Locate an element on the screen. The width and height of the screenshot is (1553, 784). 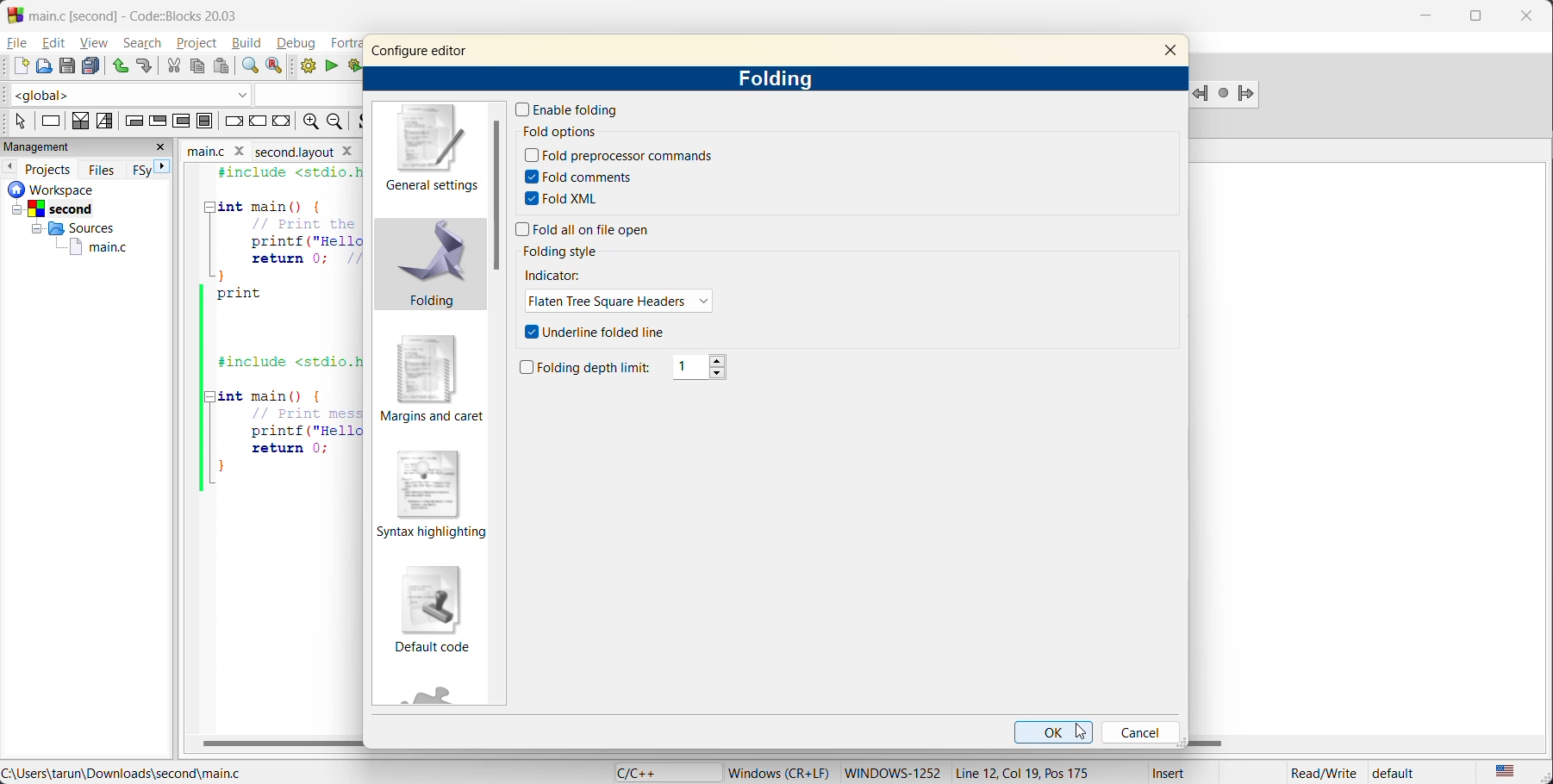
files is located at coordinates (104, 172).